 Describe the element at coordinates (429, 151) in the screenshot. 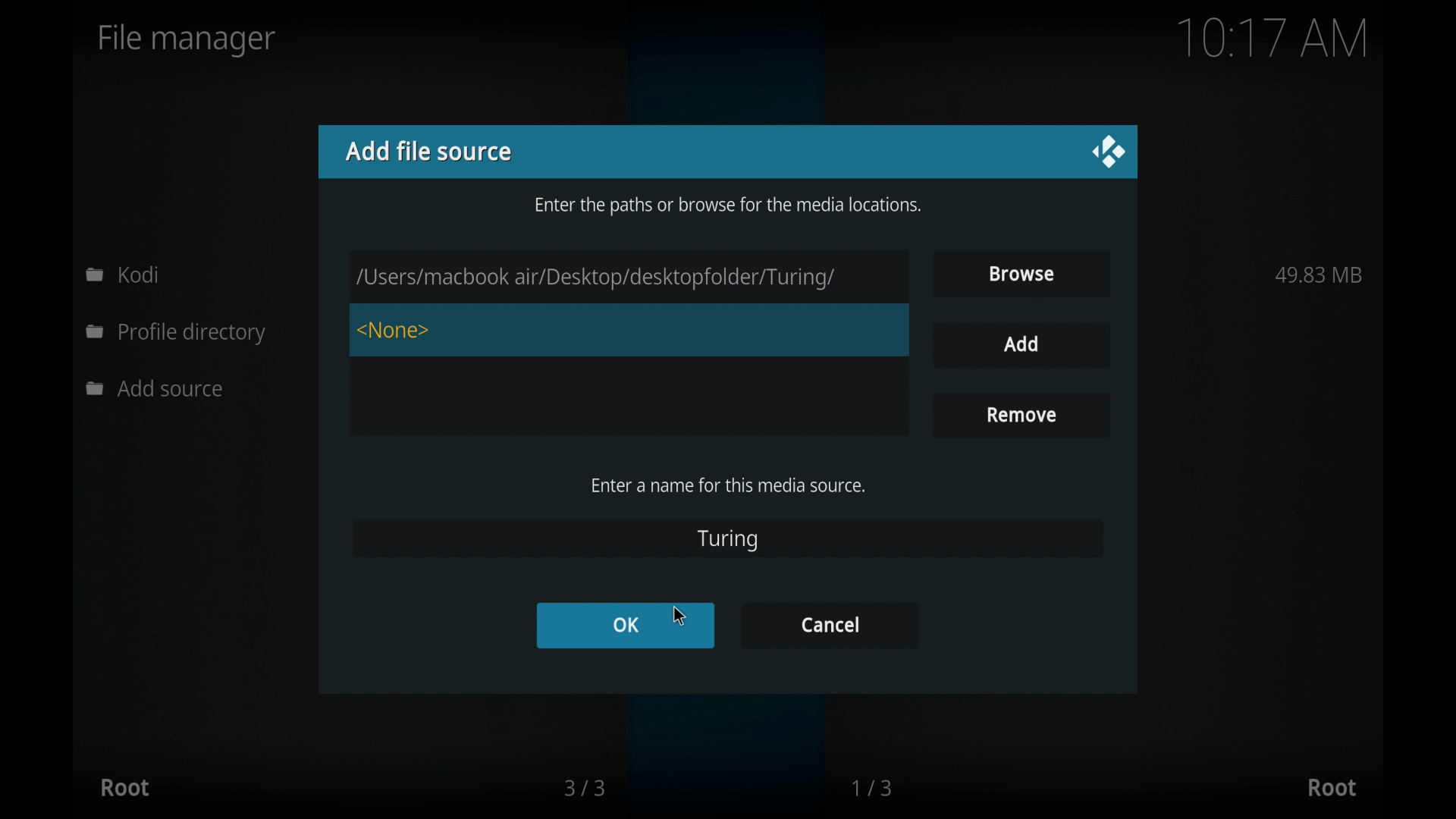

I see `add file source` at that location.